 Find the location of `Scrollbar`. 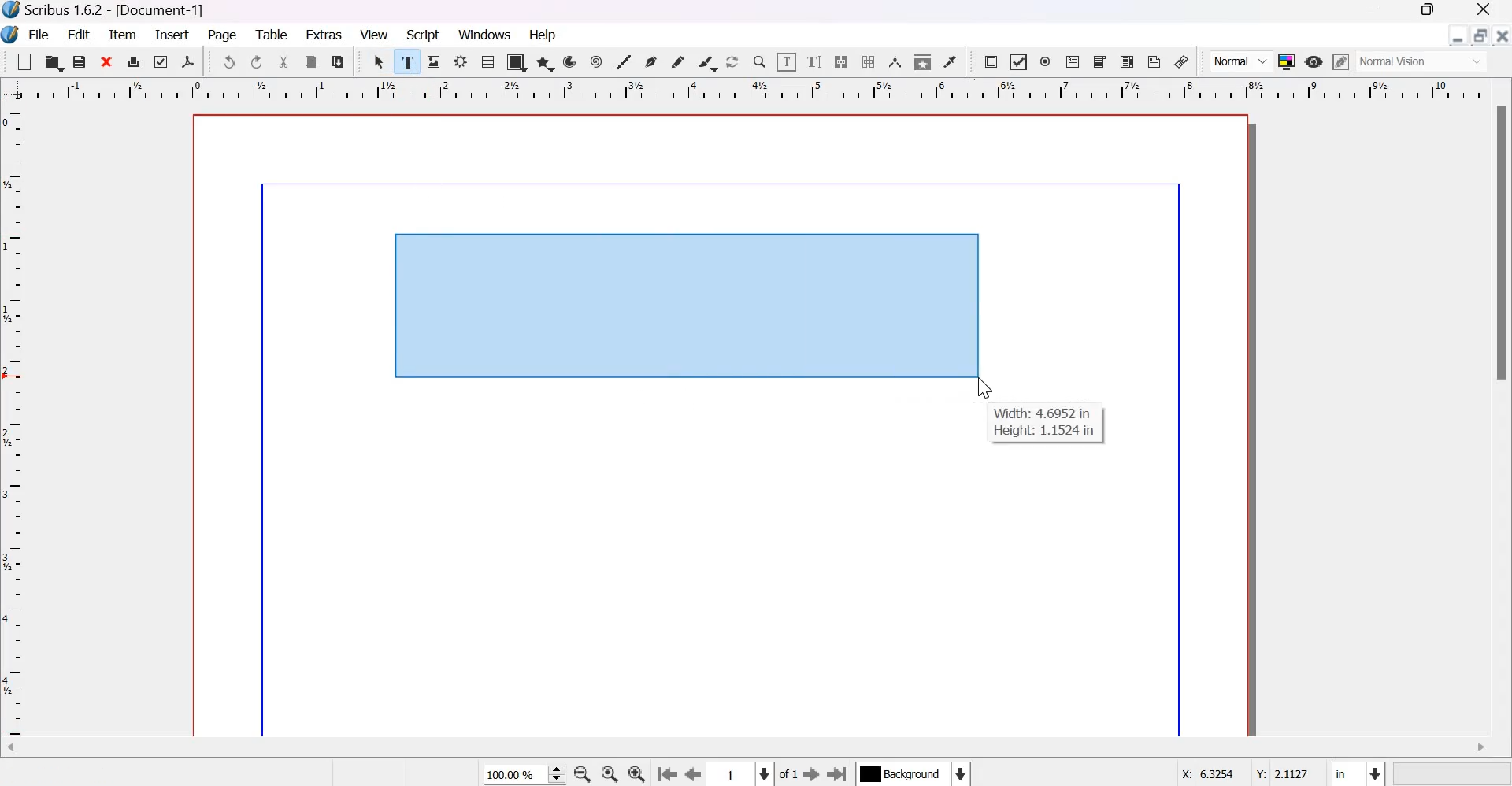

Scrollbar is located at coordinates (1503, 244).